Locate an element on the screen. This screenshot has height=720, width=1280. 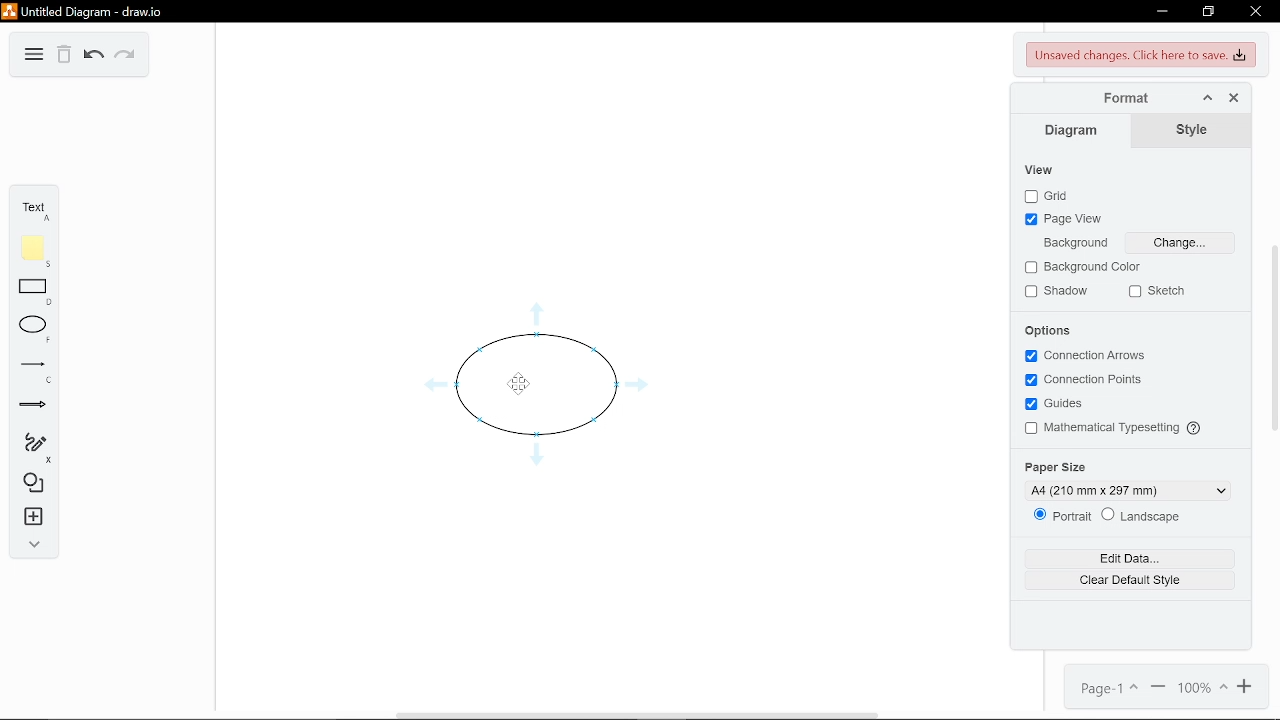
Page view is located at coordinates (1069, 219).